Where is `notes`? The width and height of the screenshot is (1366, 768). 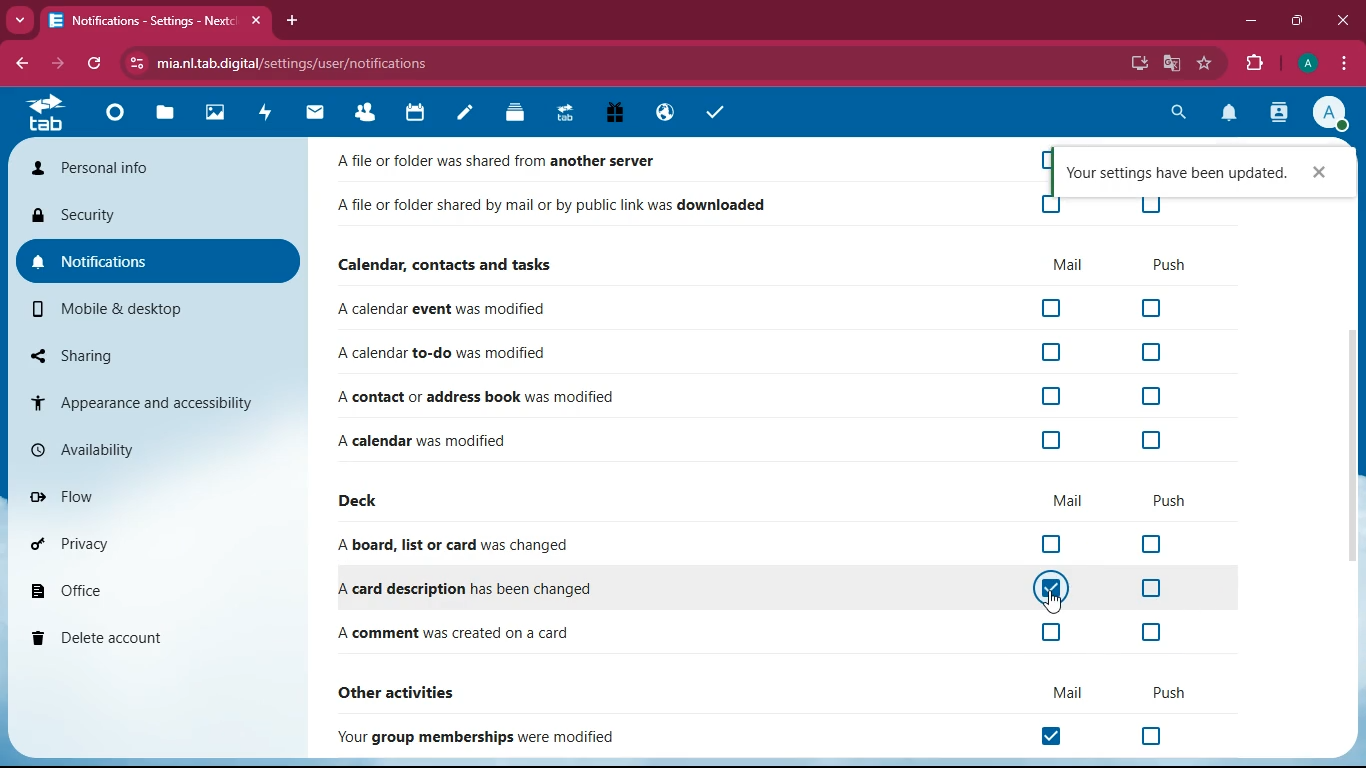
notes is located at coordinates (464, 116).